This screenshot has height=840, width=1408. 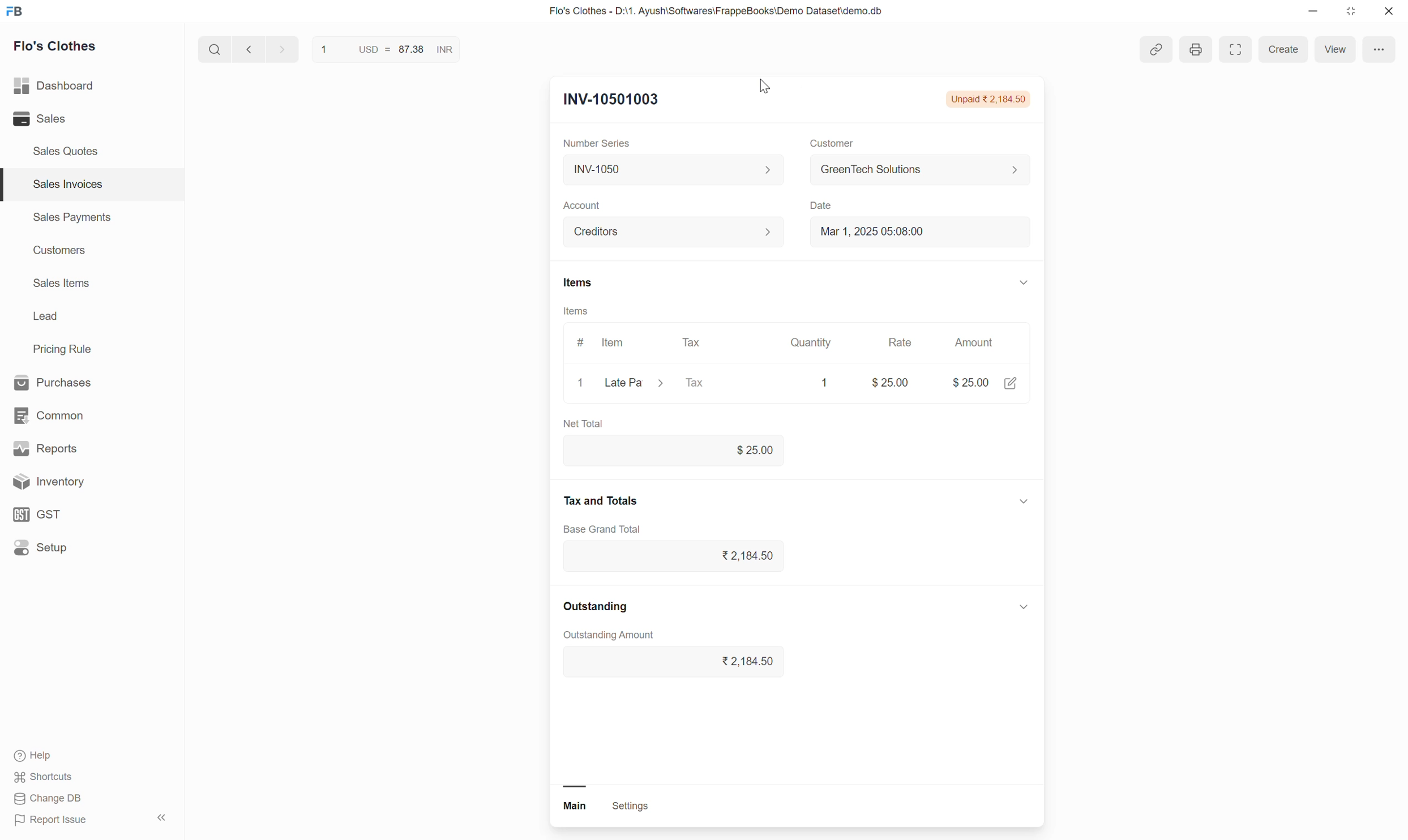 What do you see at coordinates (58, 252) in the screenshot?
I see `Customers` at bounding box center [58, 252].